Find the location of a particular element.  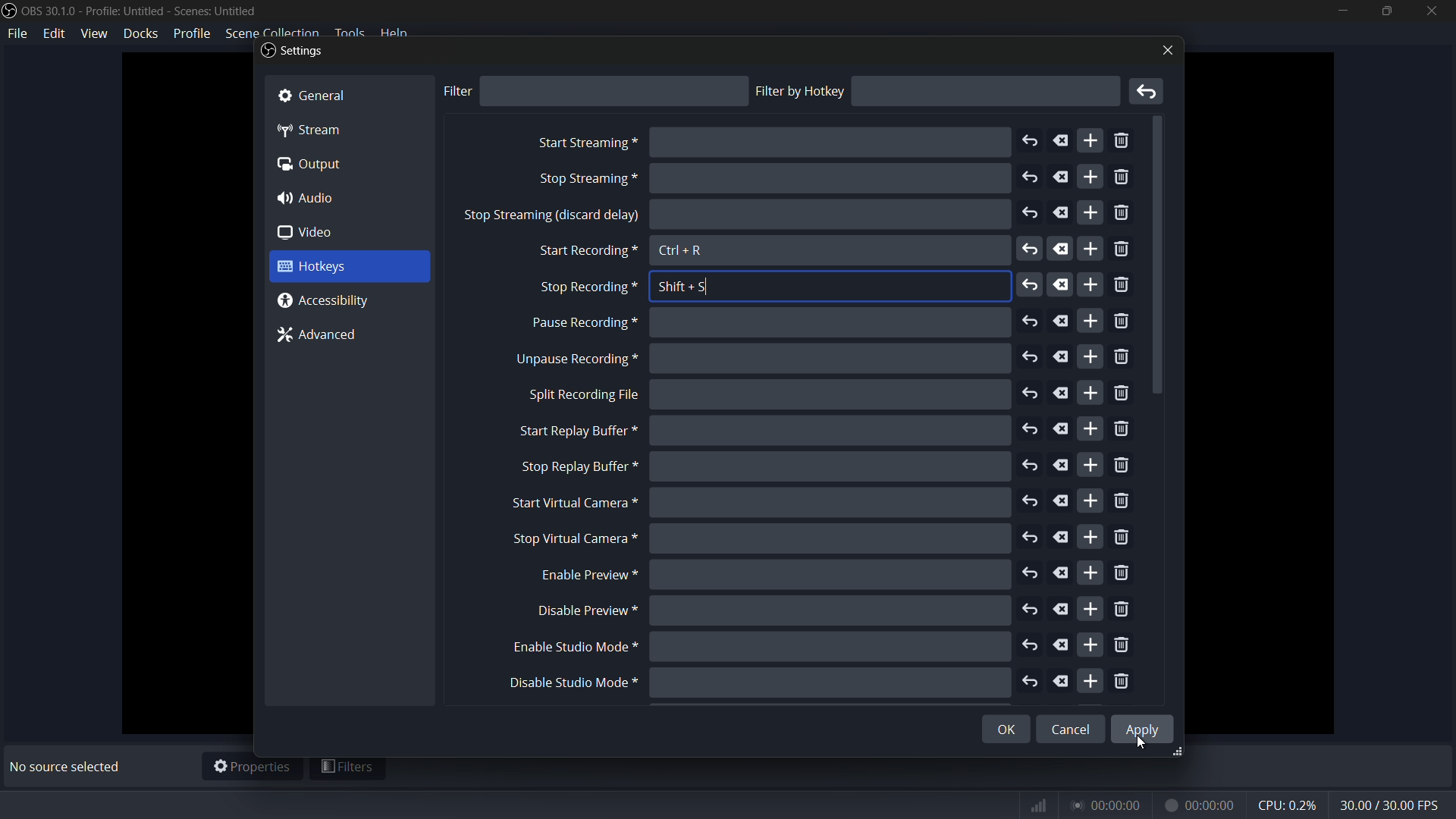

scene collection menu is located at coordinates (271, 33).